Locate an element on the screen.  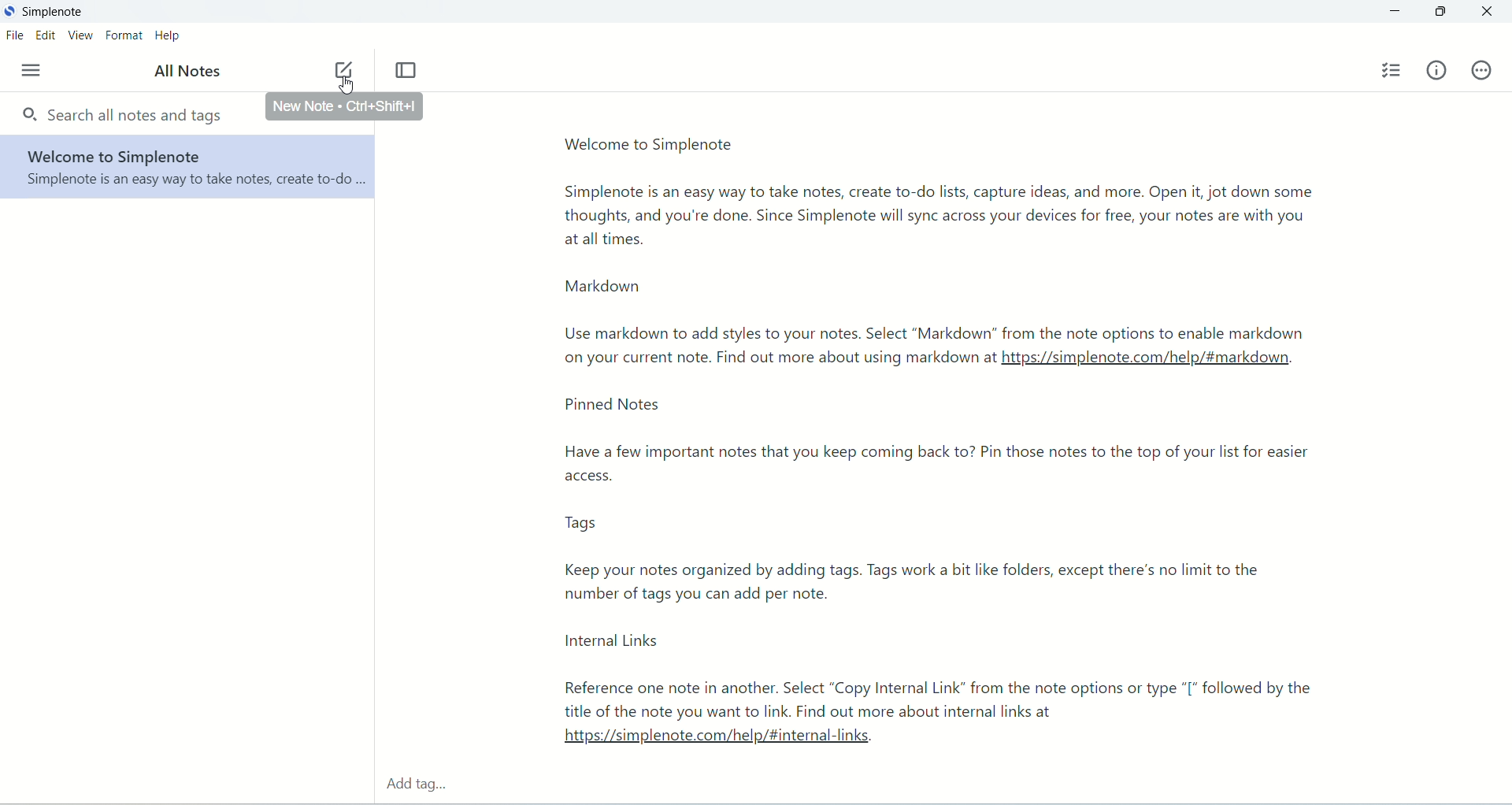
info is located at coordinates (1435, 72).